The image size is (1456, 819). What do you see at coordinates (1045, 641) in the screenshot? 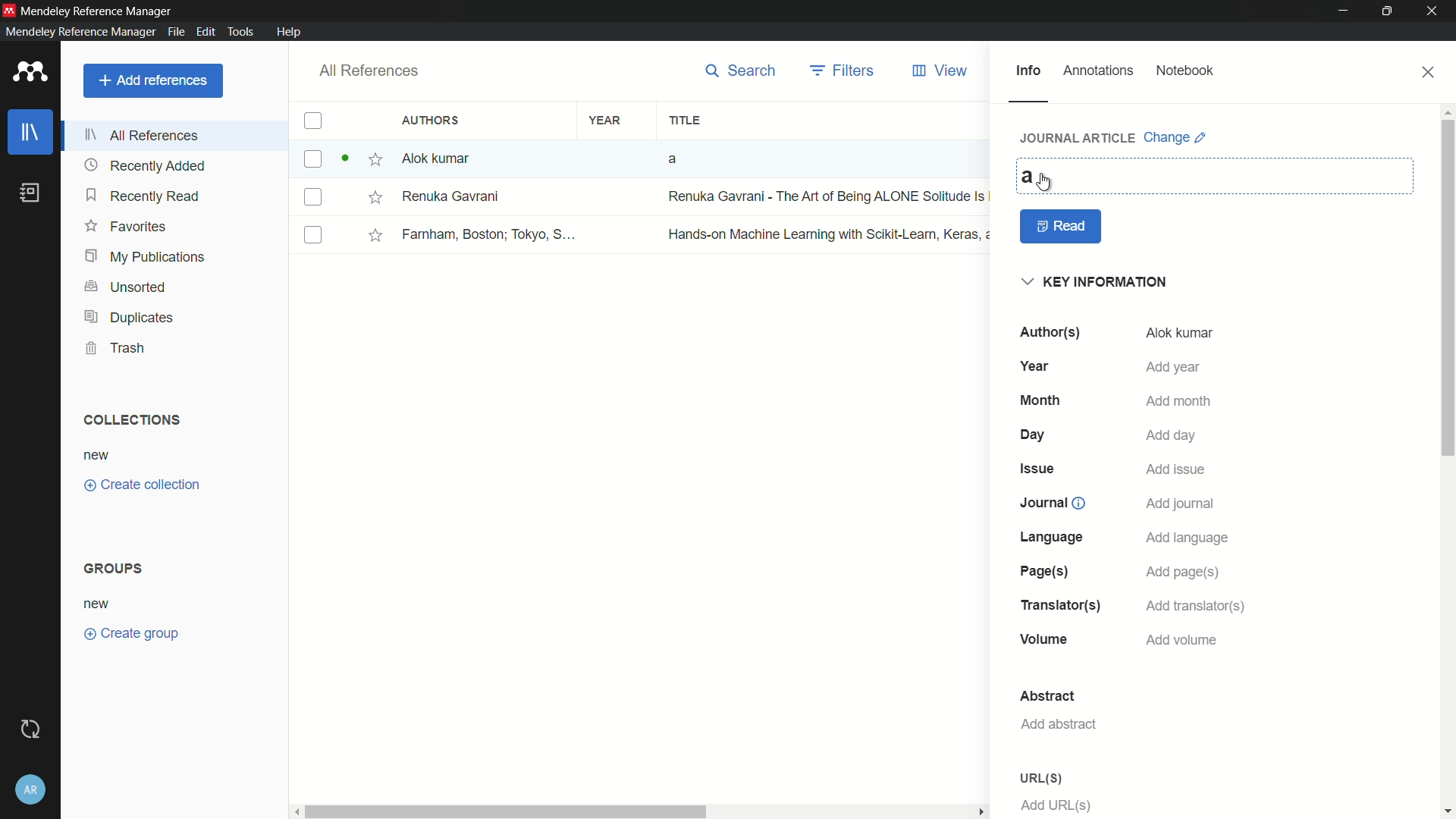
I see `volume` at bounding box center [1045, 641].